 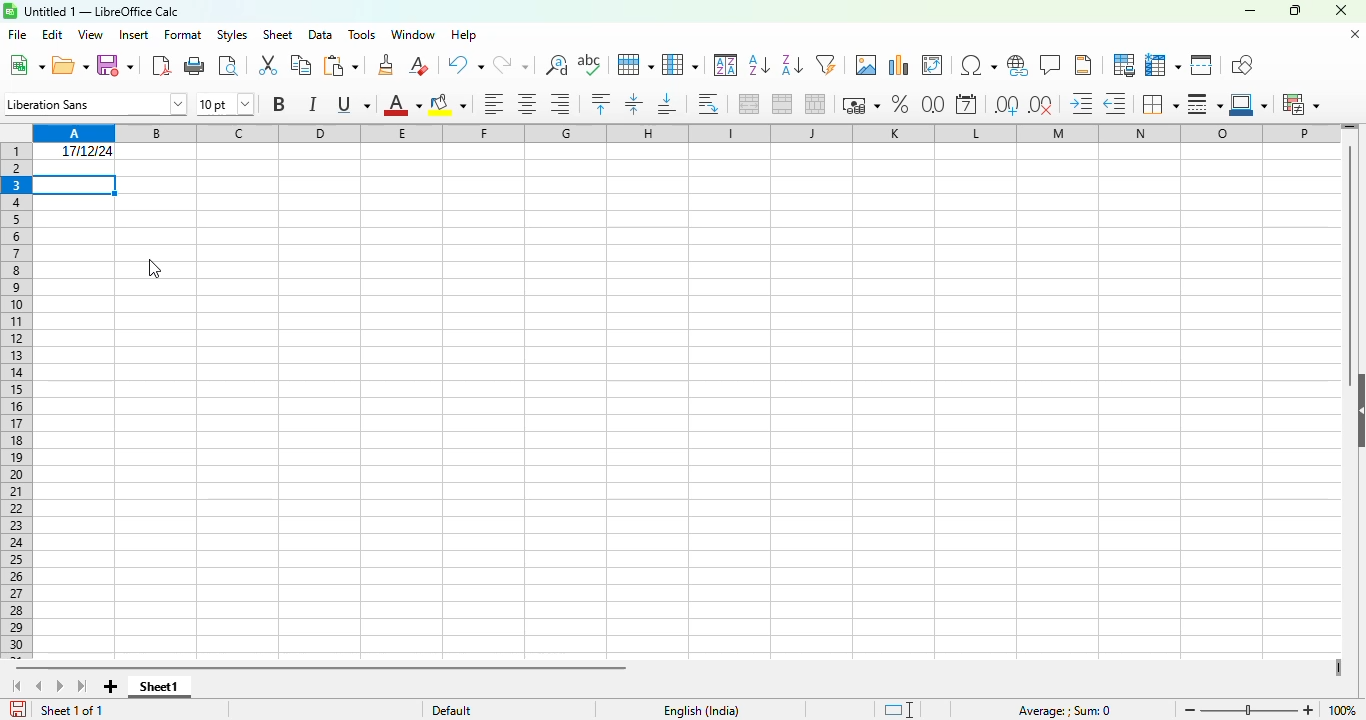 I want to click on decrease indent, so click(x=1115, y=104).